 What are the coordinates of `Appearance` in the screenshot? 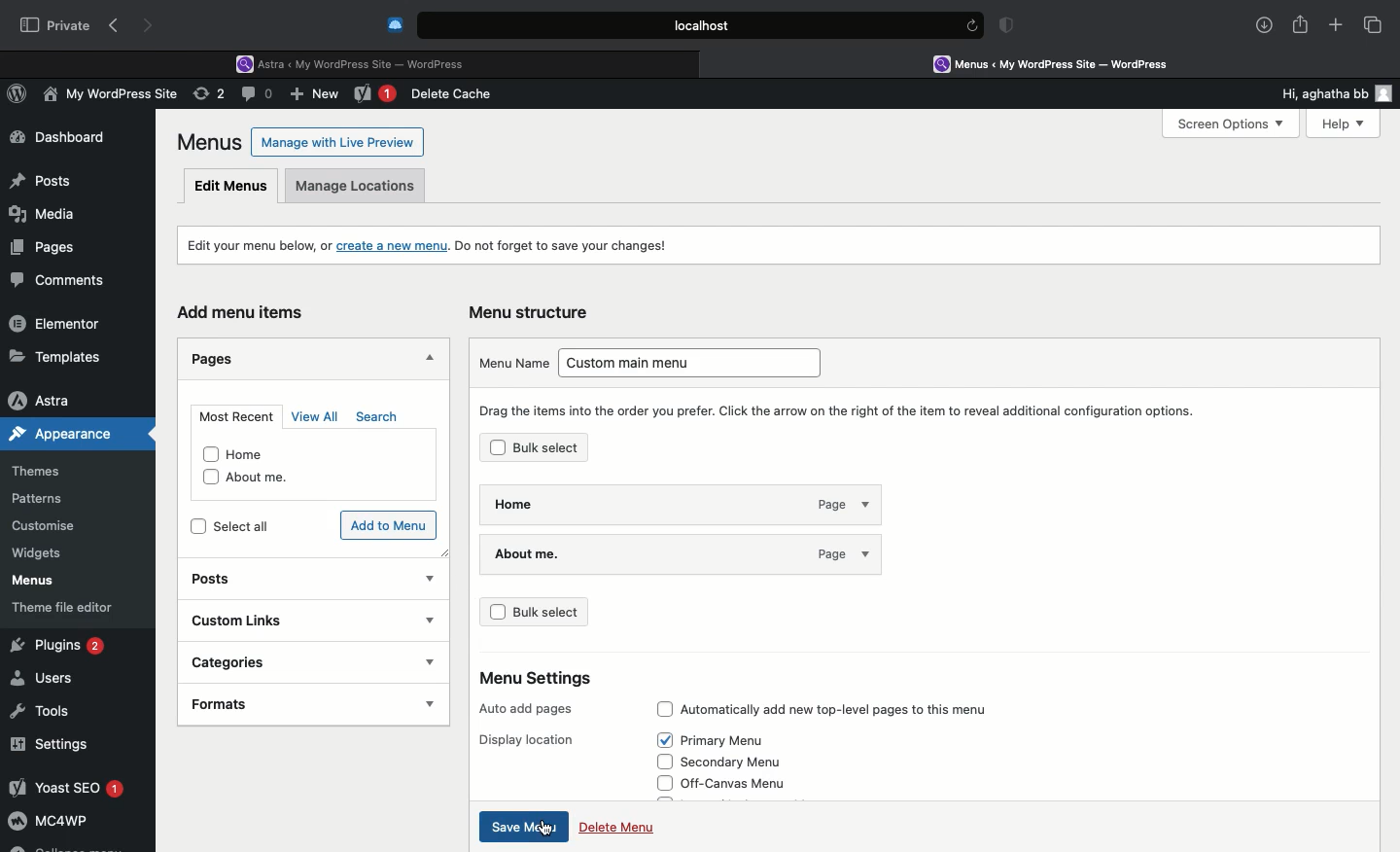 It's located at (79, 434).